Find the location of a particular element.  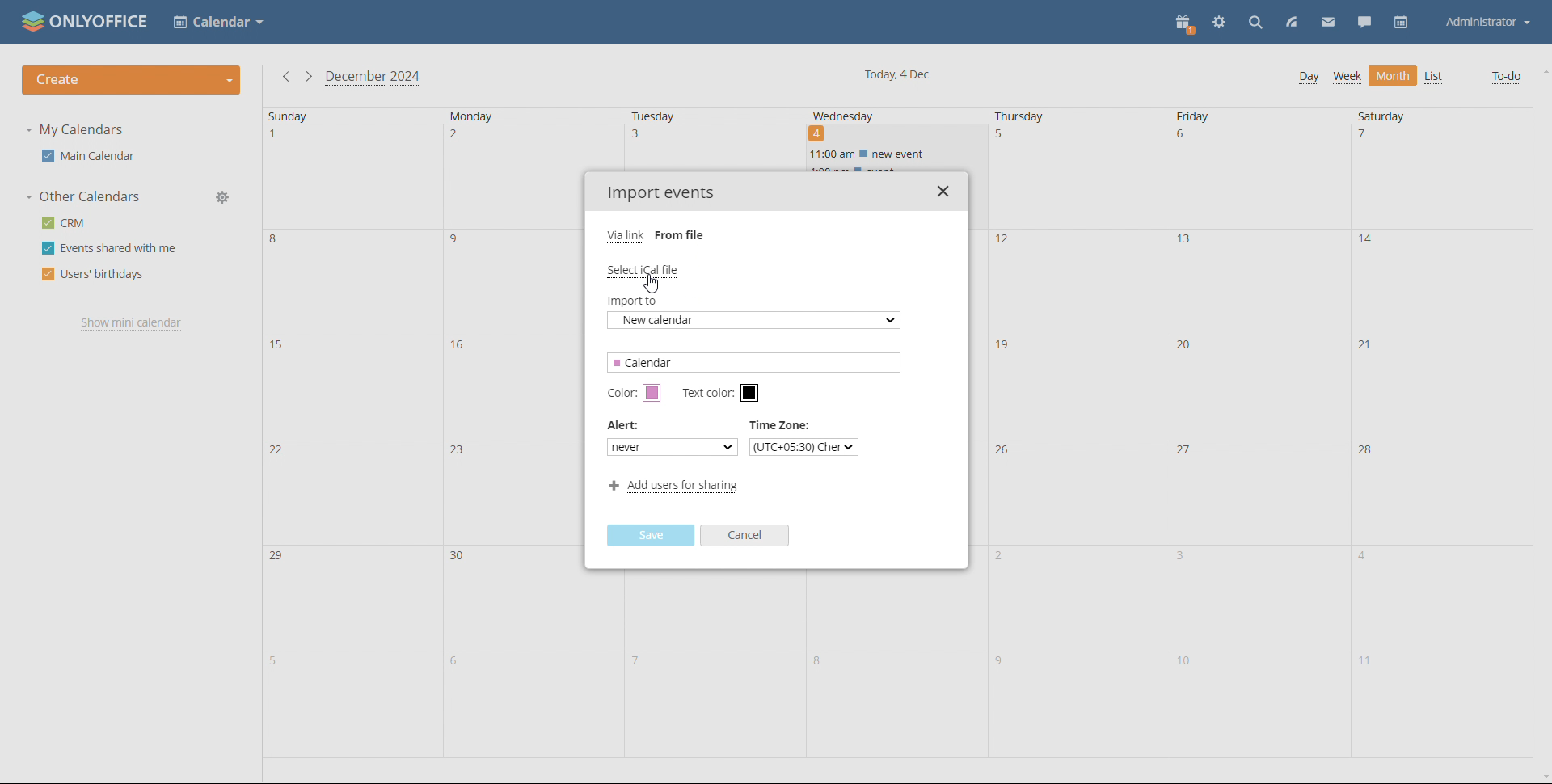

close is located at coordinates (943, 191).